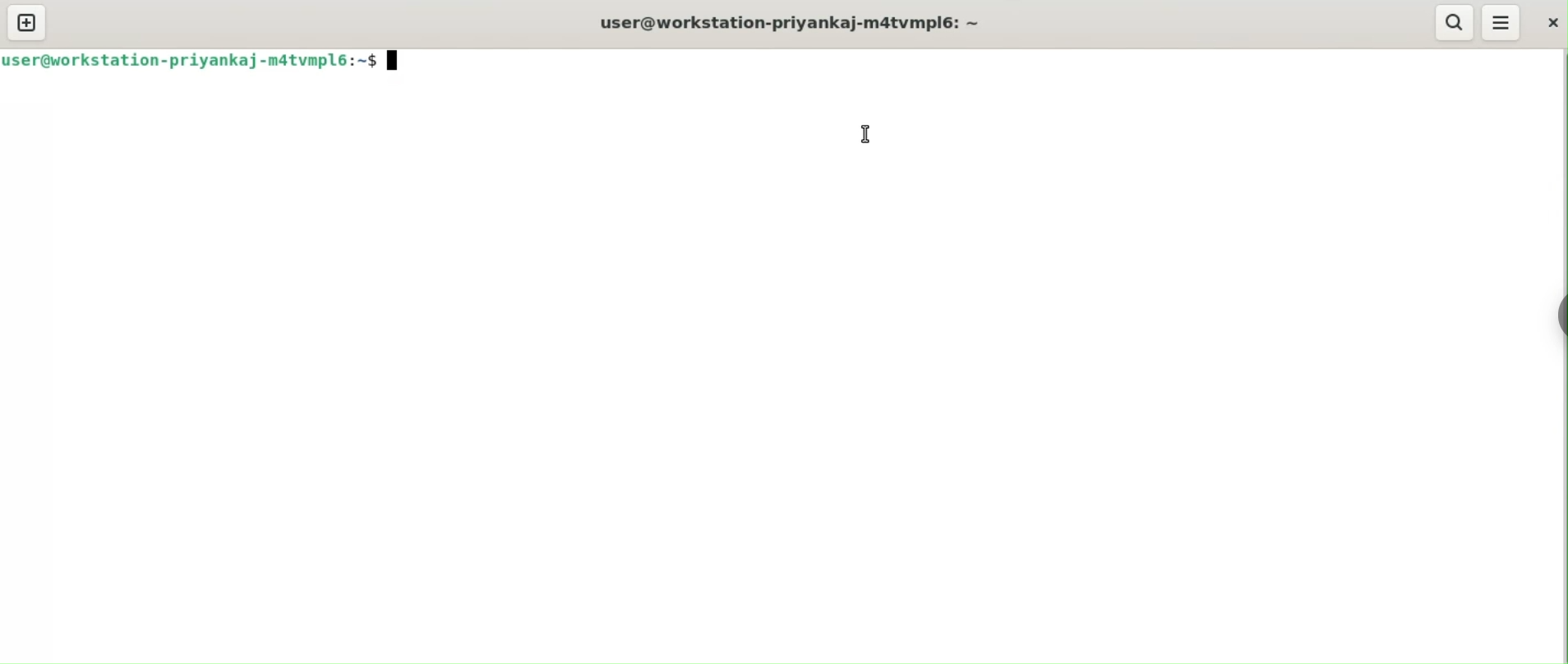  What do you see at coordinates (867, 133) in the screenshot?
I see `cursor` at bounding box center [867, 133].